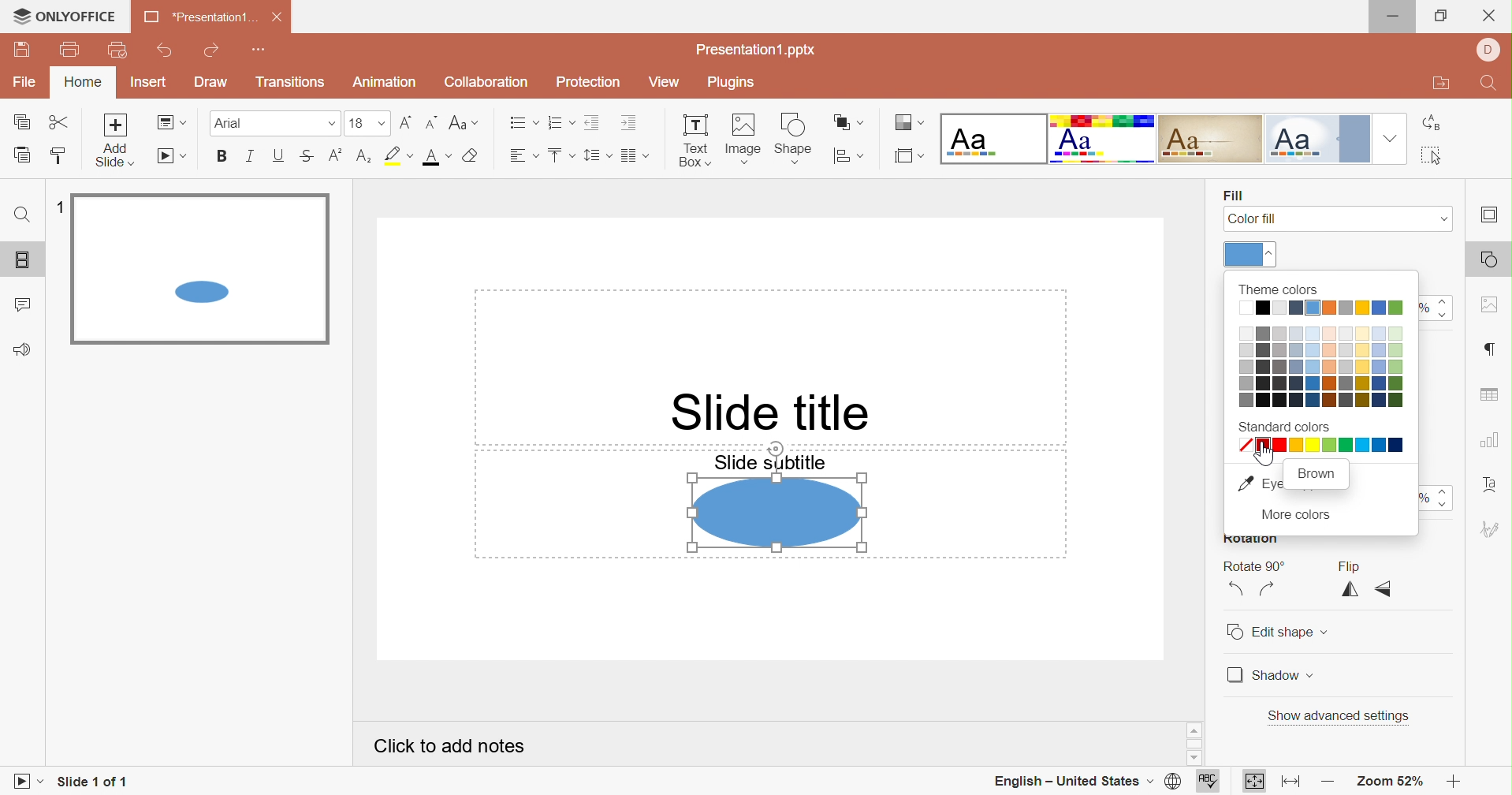 Image resolution: width=1512 pixels, height=795 pixels. What do you see at coordinates (24, 83) in the screenshot?
I see `File` at bounding box center [24, 83].